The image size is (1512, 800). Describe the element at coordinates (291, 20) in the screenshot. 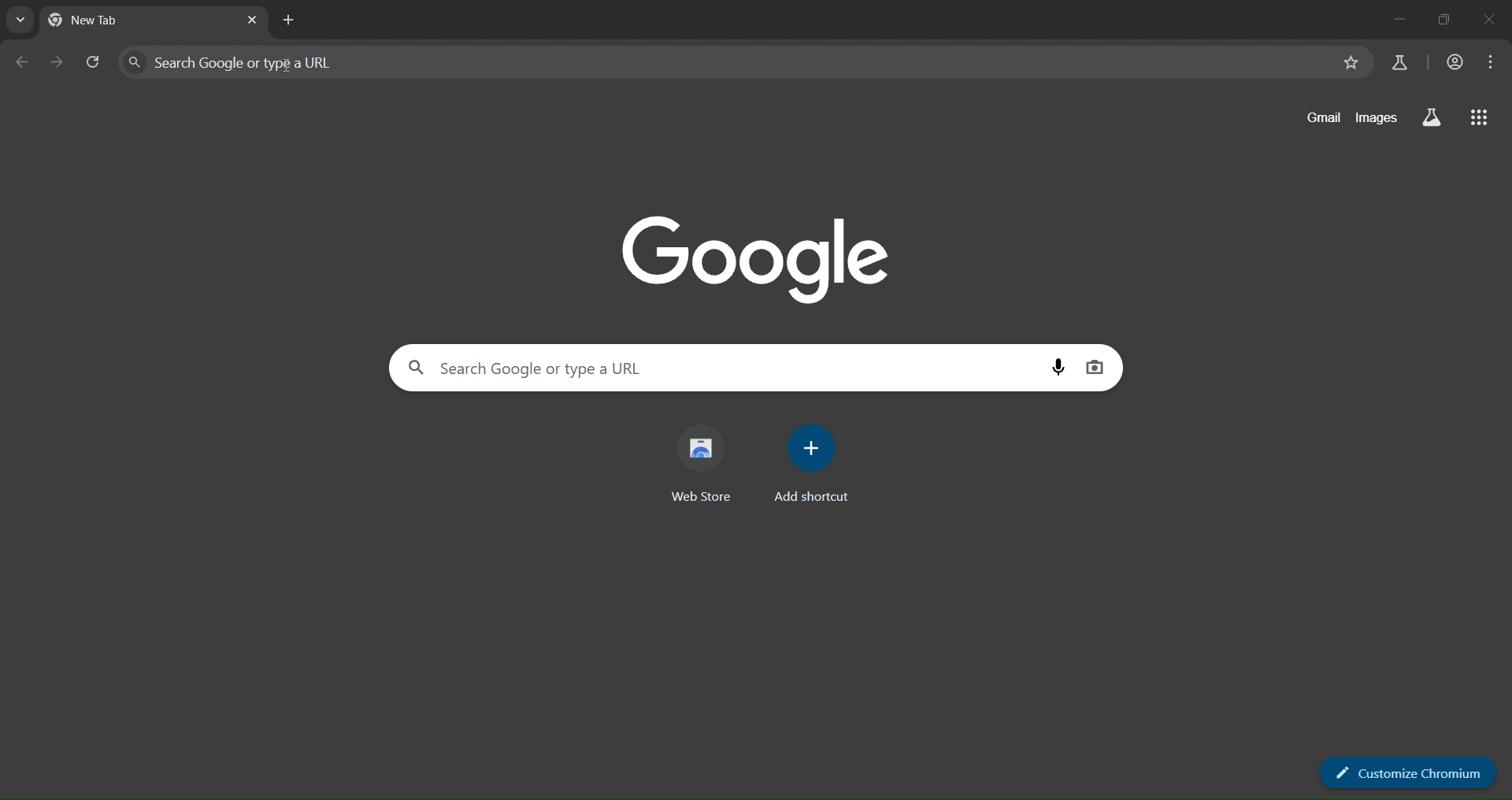

I see `new tab` at that location.